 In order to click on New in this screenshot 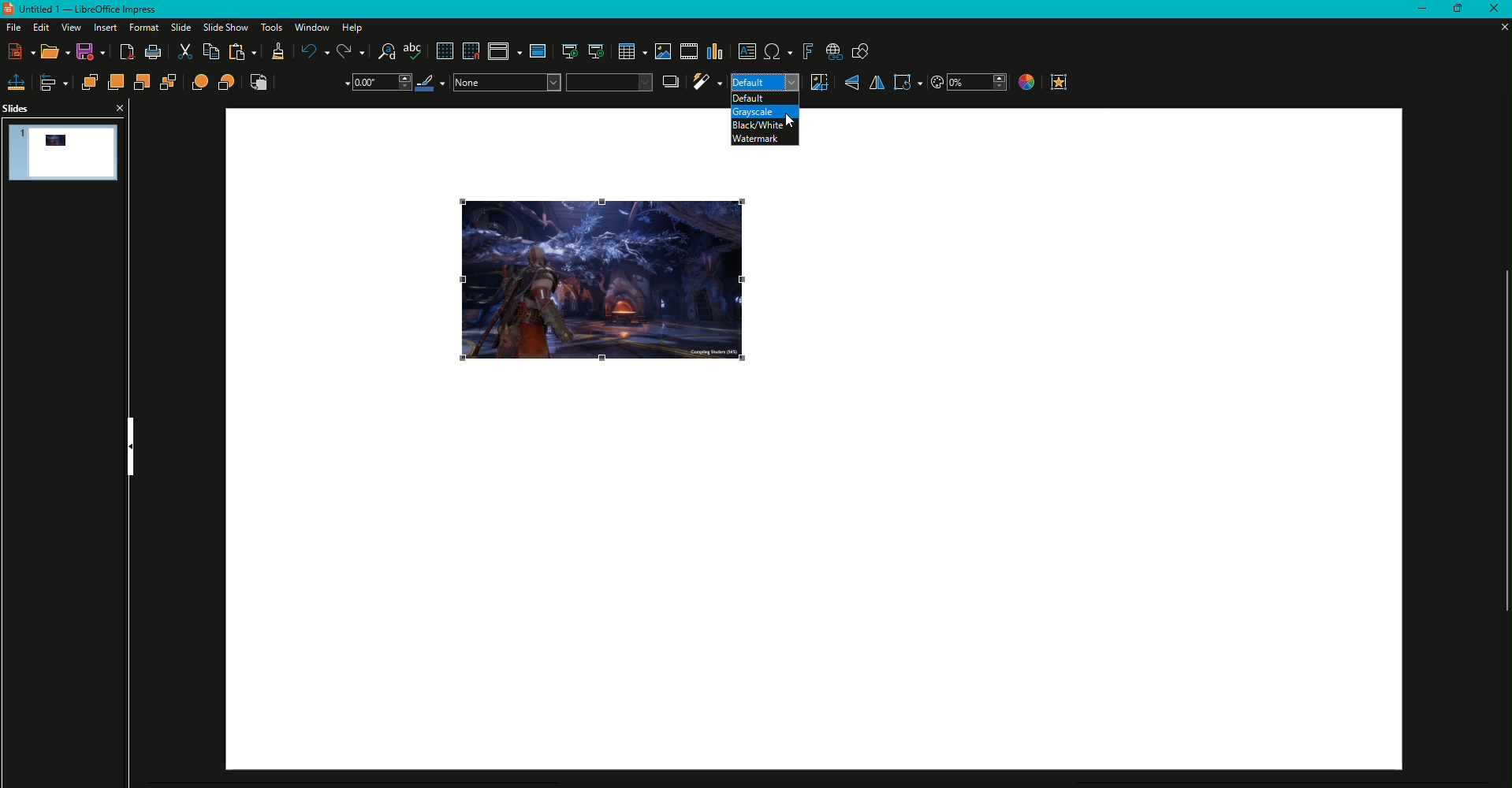, I will do `click(23, 51)`.